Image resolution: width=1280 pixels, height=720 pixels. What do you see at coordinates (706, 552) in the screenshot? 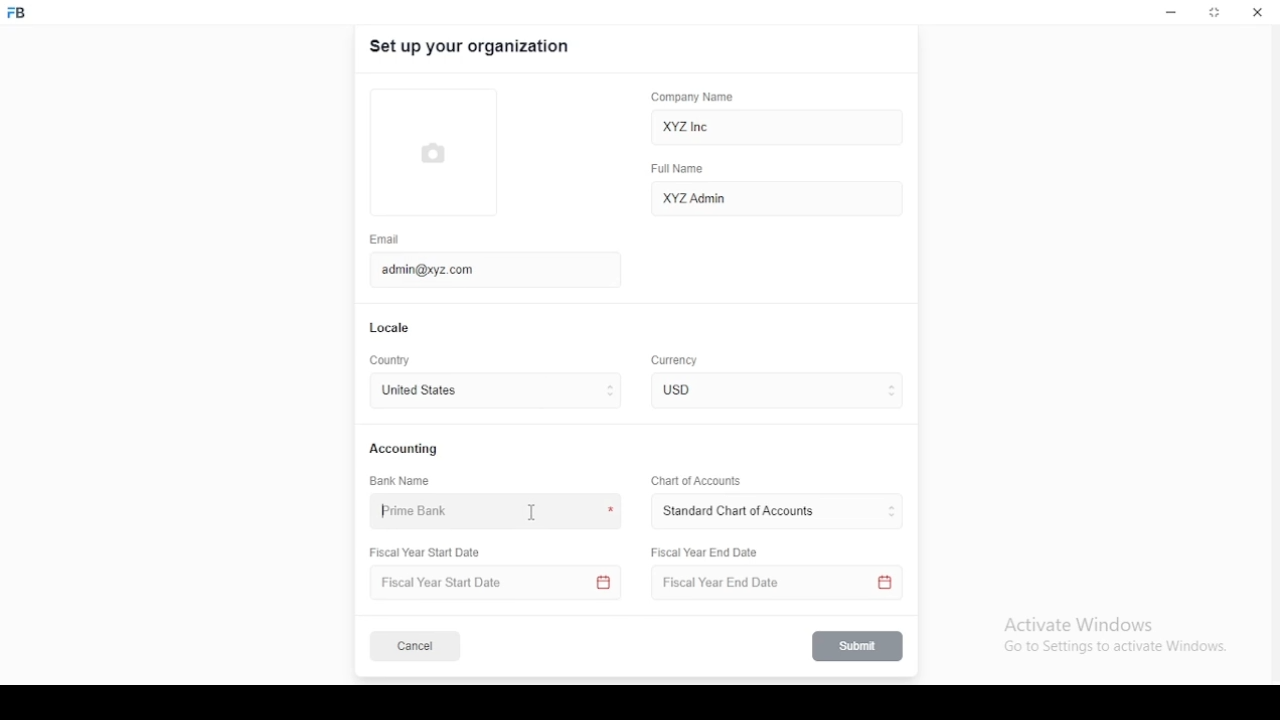
I see `Fiscal Year End Date` at bounding box center [706, 552].